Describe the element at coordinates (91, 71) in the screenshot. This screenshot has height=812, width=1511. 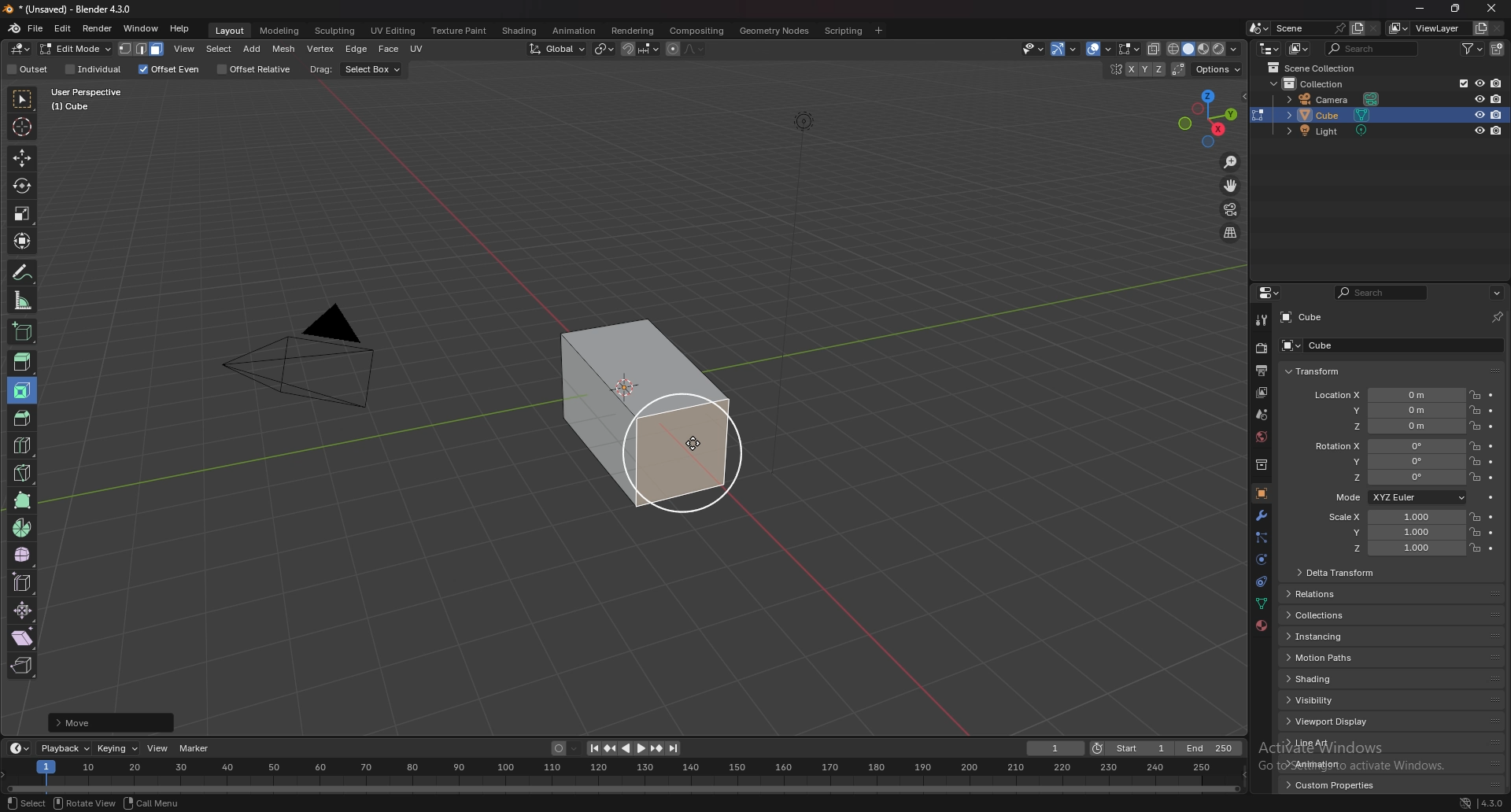
I see `individual` at that location.